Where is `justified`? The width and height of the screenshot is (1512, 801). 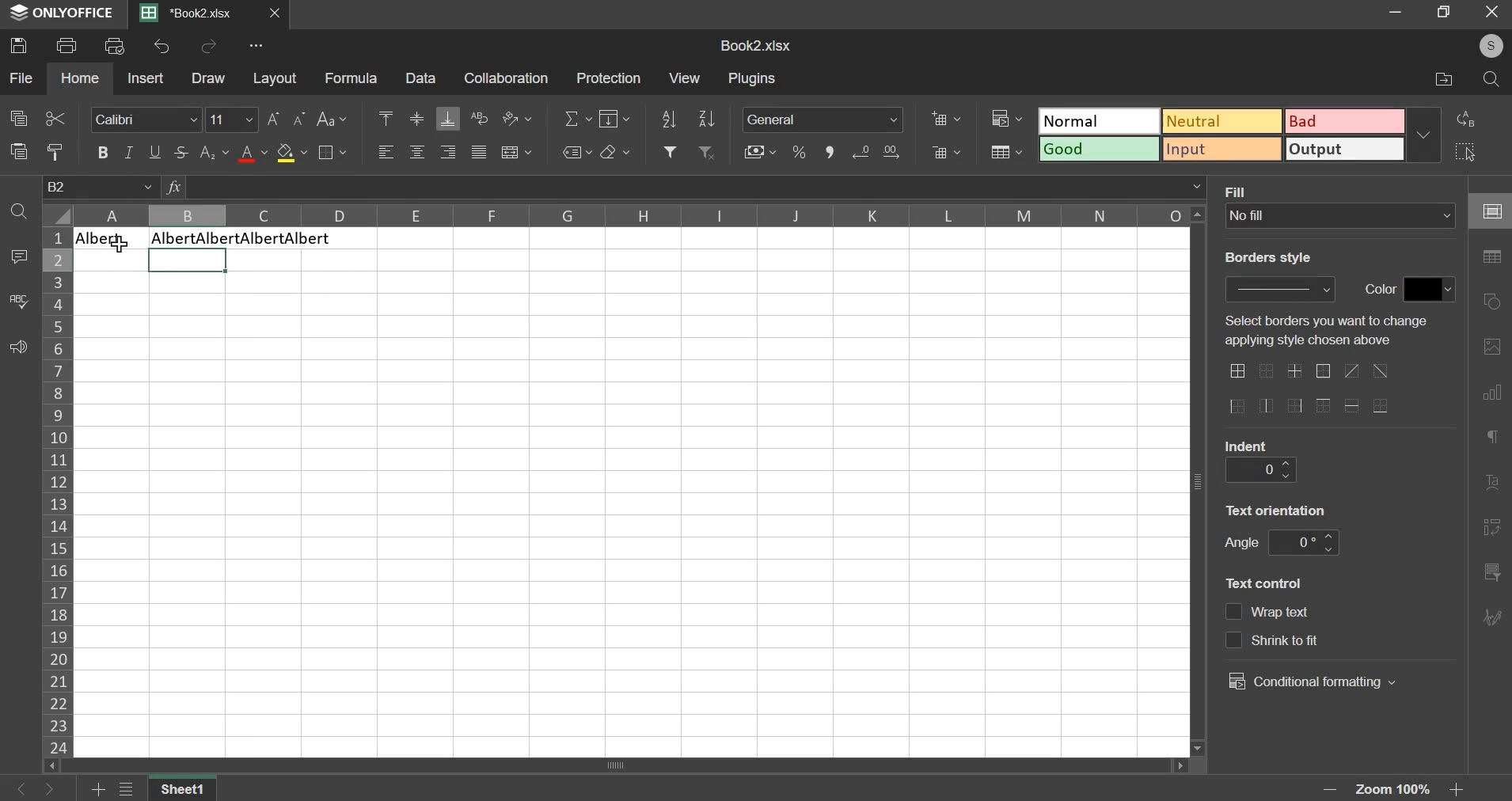
justified is located at coordinates (479, 152).